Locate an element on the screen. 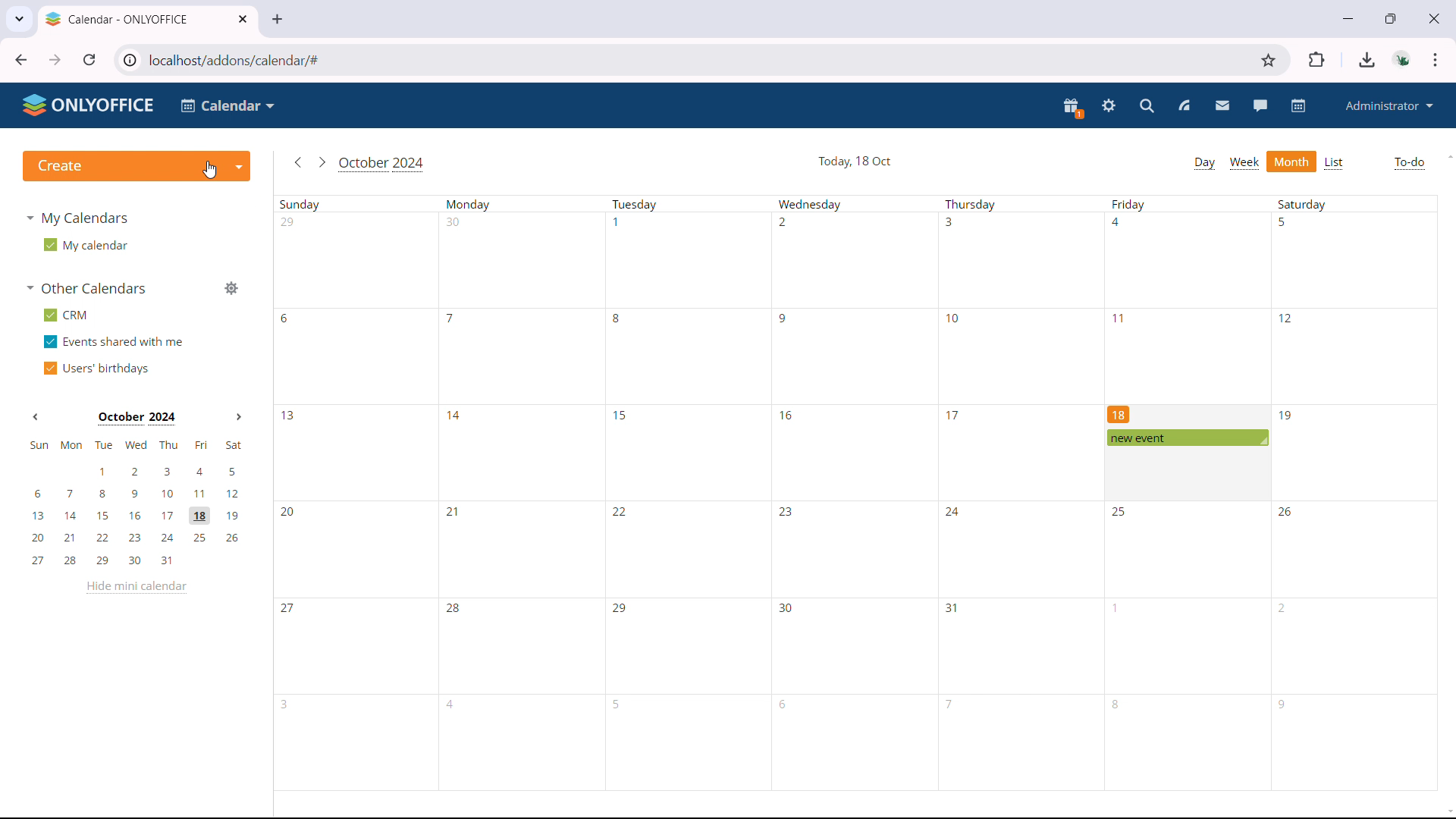  Calendar is located at coordinates (229, 105).